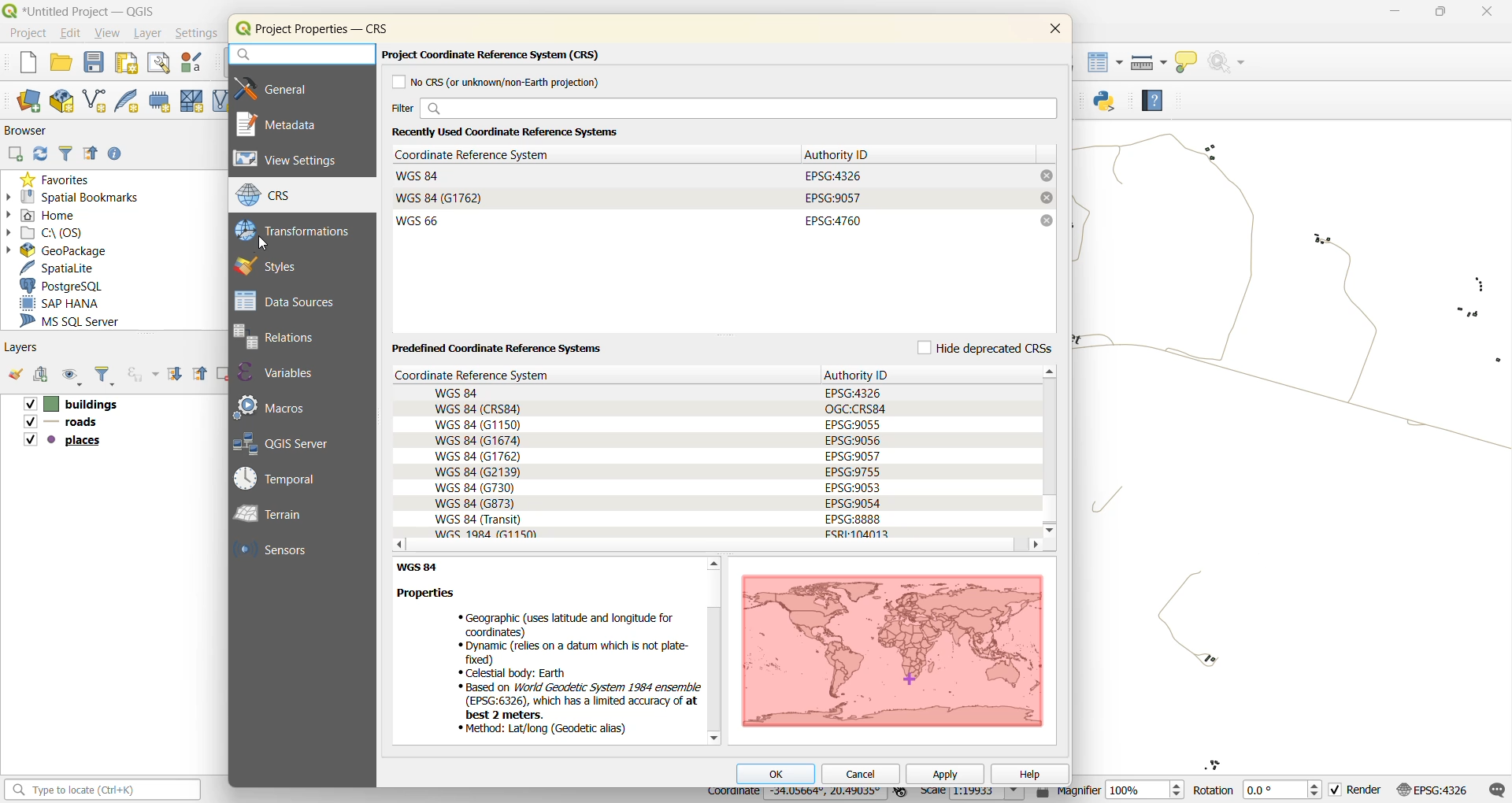 This screenshot has height=803, width=1512. What do you see at coordinates (61, 424) in the screenshot?
I see `roads` at bounding box center [61, 424].